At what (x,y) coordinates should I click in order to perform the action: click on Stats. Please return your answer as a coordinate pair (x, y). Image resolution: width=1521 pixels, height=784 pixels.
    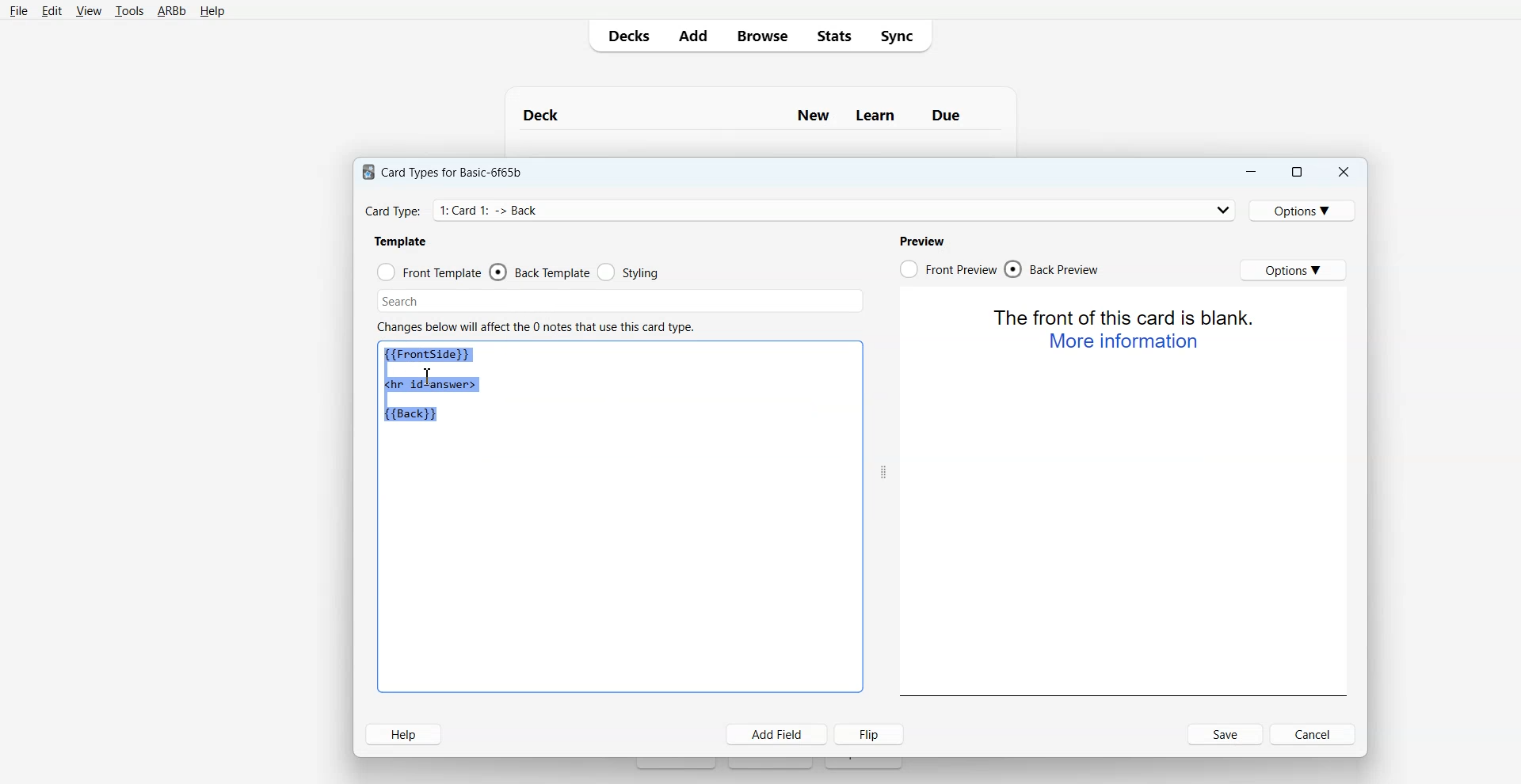
    Looking at the image, I should click on (831, 36).